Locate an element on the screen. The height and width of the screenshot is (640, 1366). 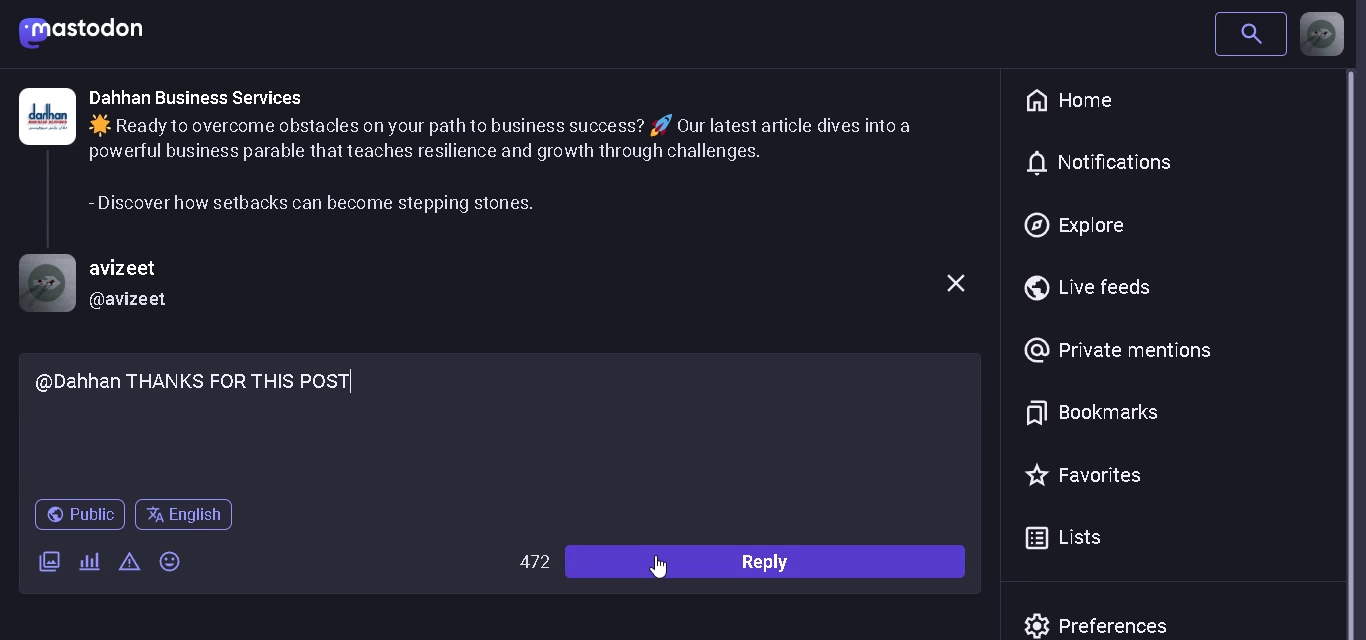
post is located at coordinates (524, 164).